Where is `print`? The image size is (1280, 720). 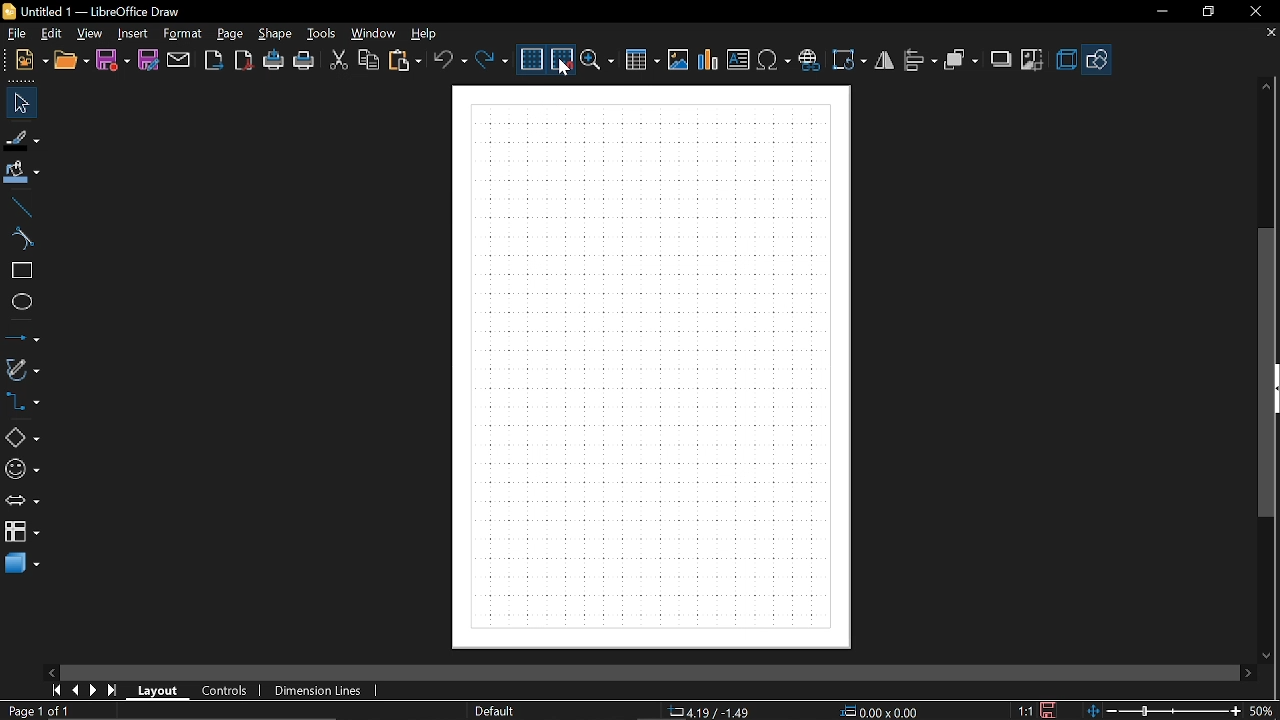 print is located at coordinates (304, 61).